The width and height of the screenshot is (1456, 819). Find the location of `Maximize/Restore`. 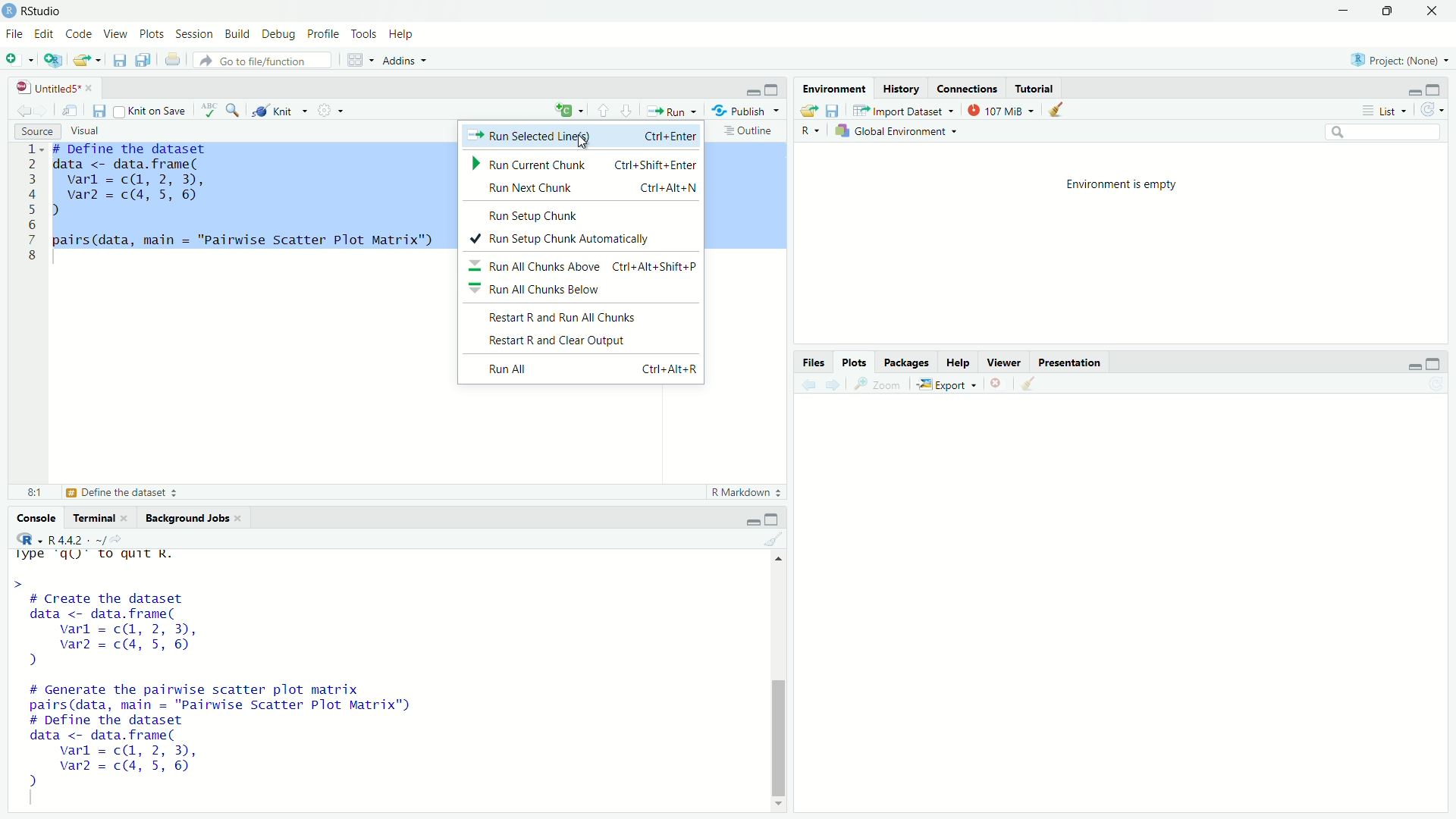

Maximize/Restore is located at coordinates (1388, 9).